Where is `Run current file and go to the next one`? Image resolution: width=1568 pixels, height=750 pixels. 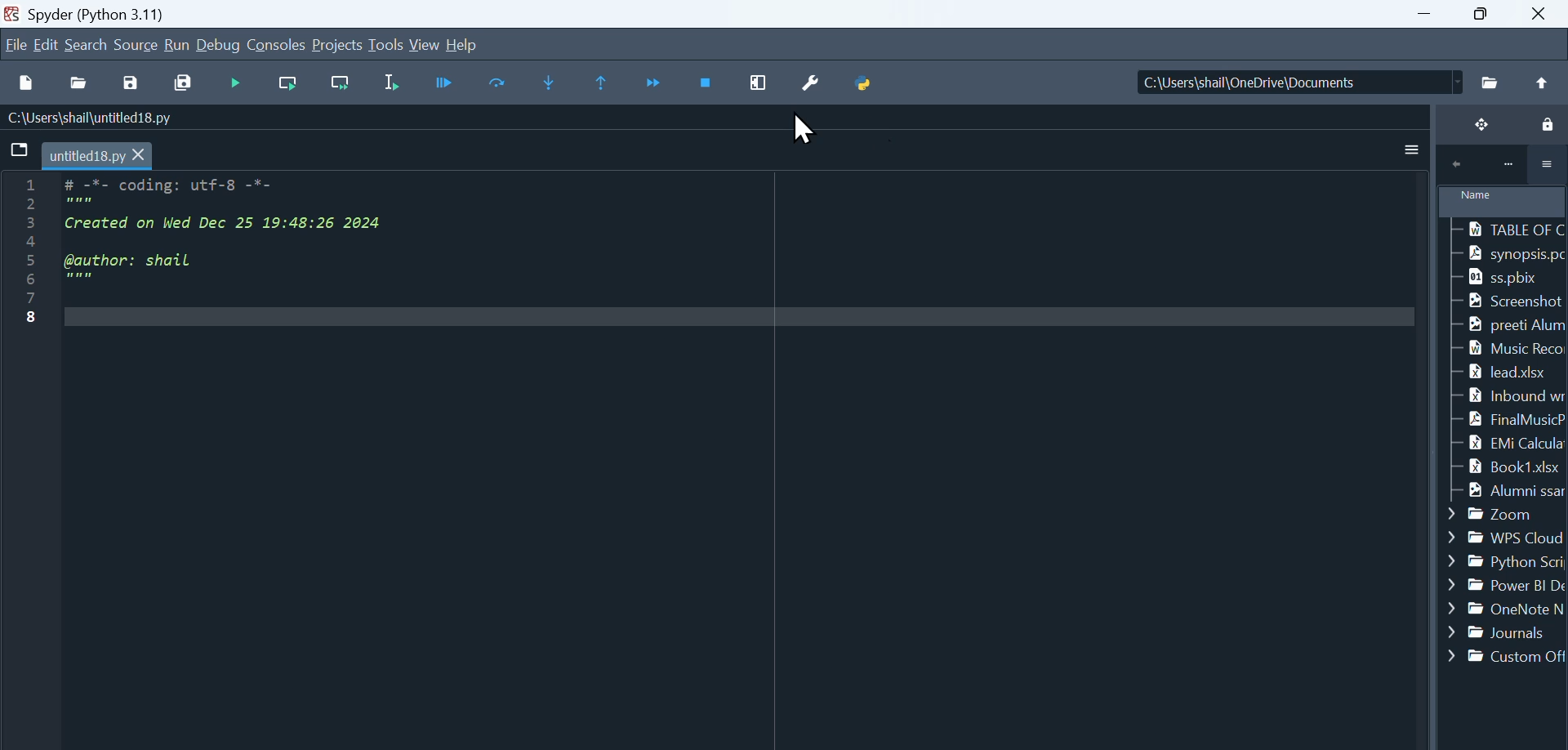
Run current file and go to the next one is located at coordinates (339, 84).